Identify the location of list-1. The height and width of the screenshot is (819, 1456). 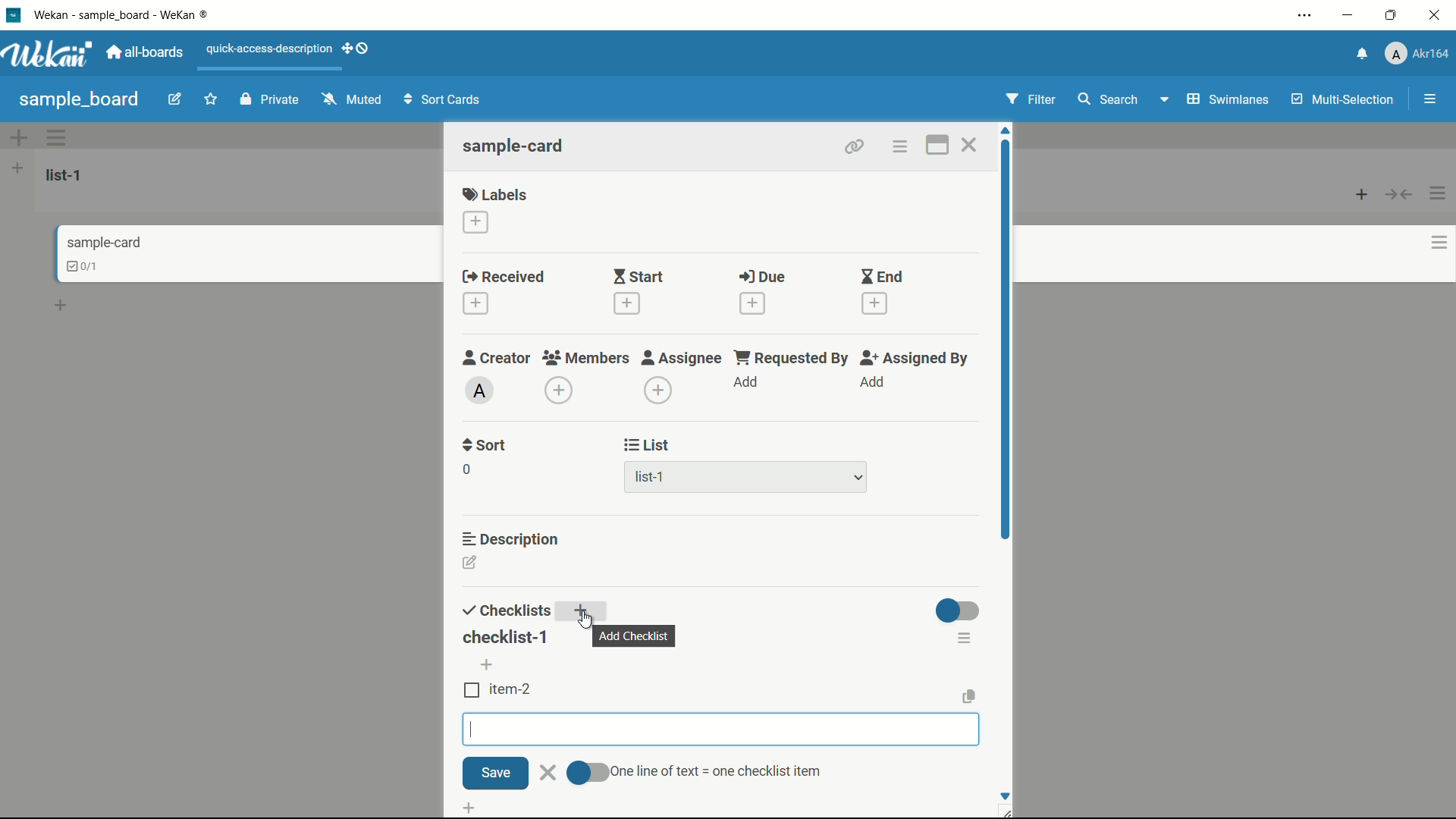
(67, 174).